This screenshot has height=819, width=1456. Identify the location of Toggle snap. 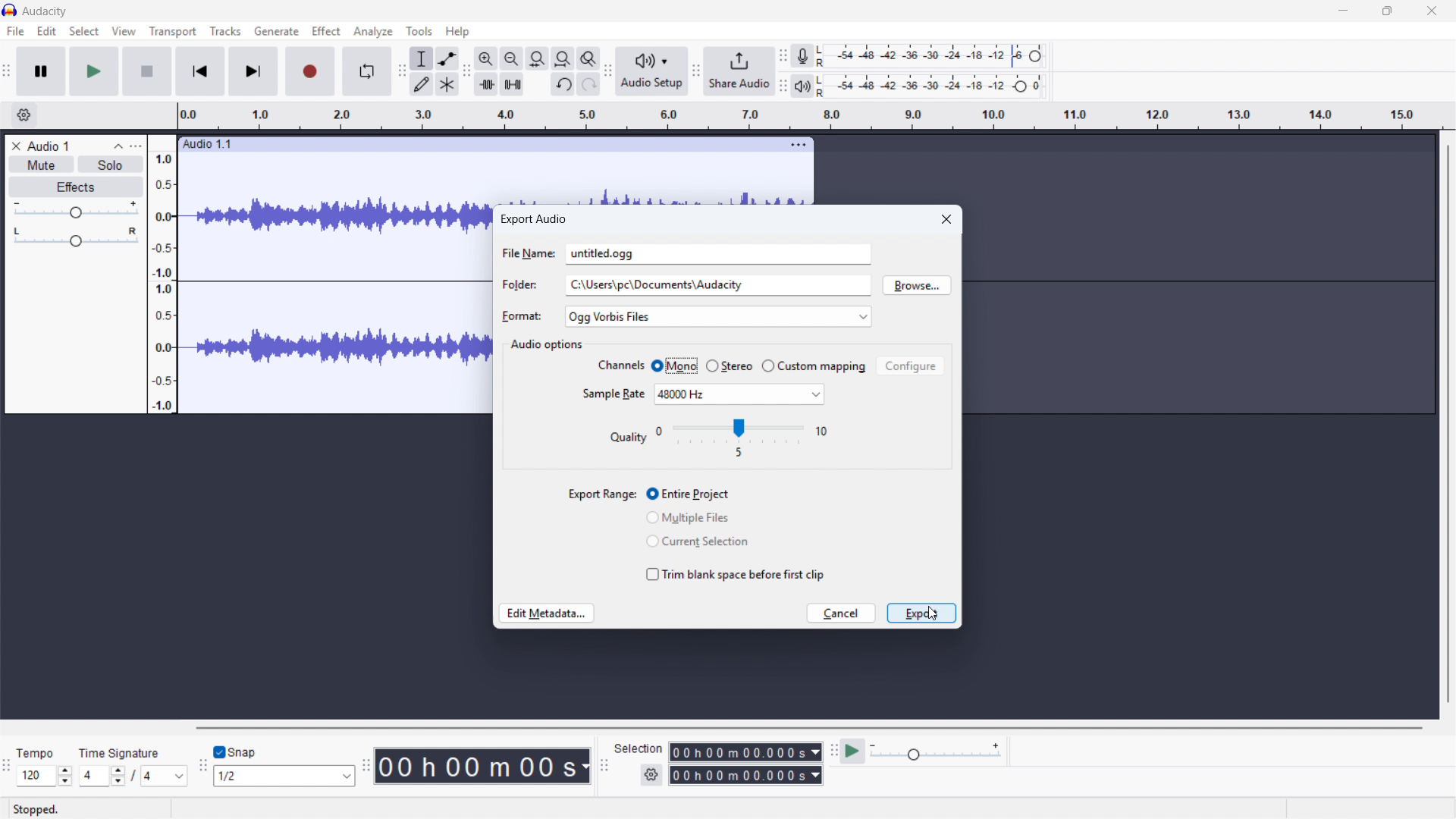
(235, 752).